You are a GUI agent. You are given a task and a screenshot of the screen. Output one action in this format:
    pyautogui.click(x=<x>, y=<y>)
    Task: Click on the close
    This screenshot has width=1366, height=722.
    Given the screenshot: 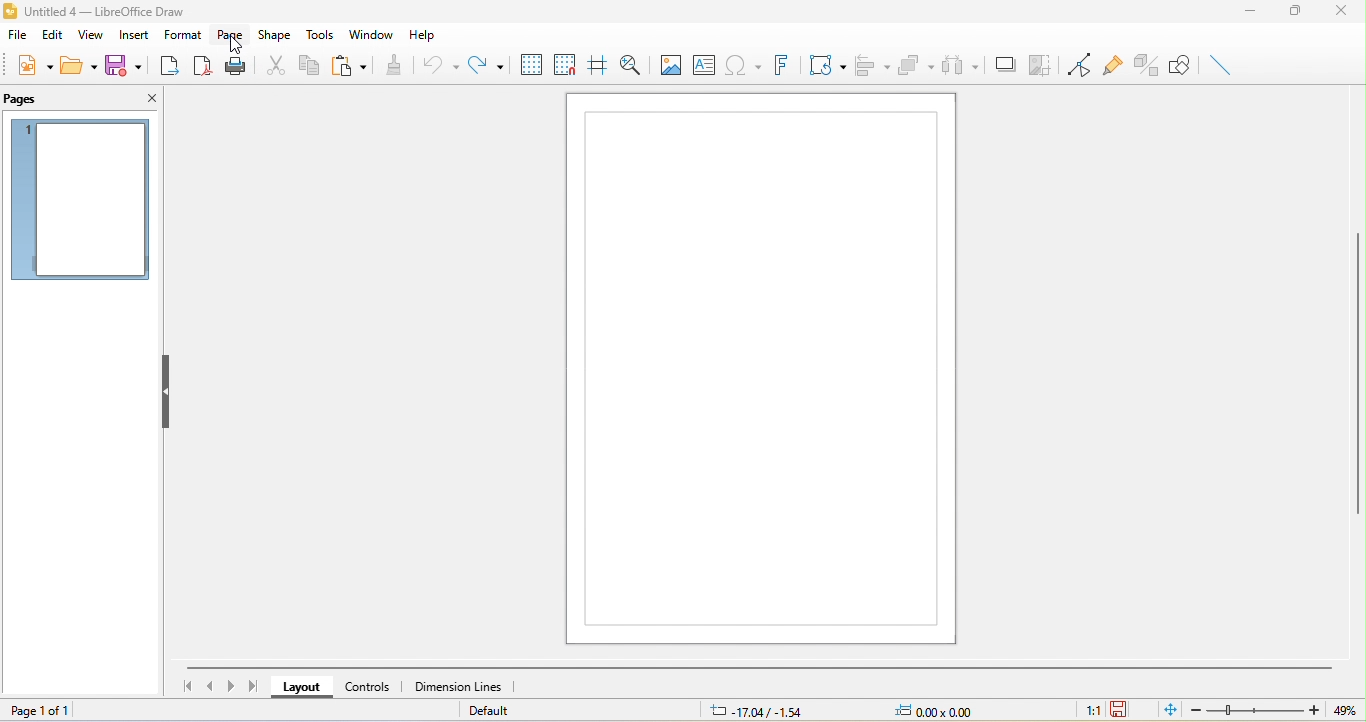 What is the action you would take?
    pyautogui.click(x=1346, y=13)
    